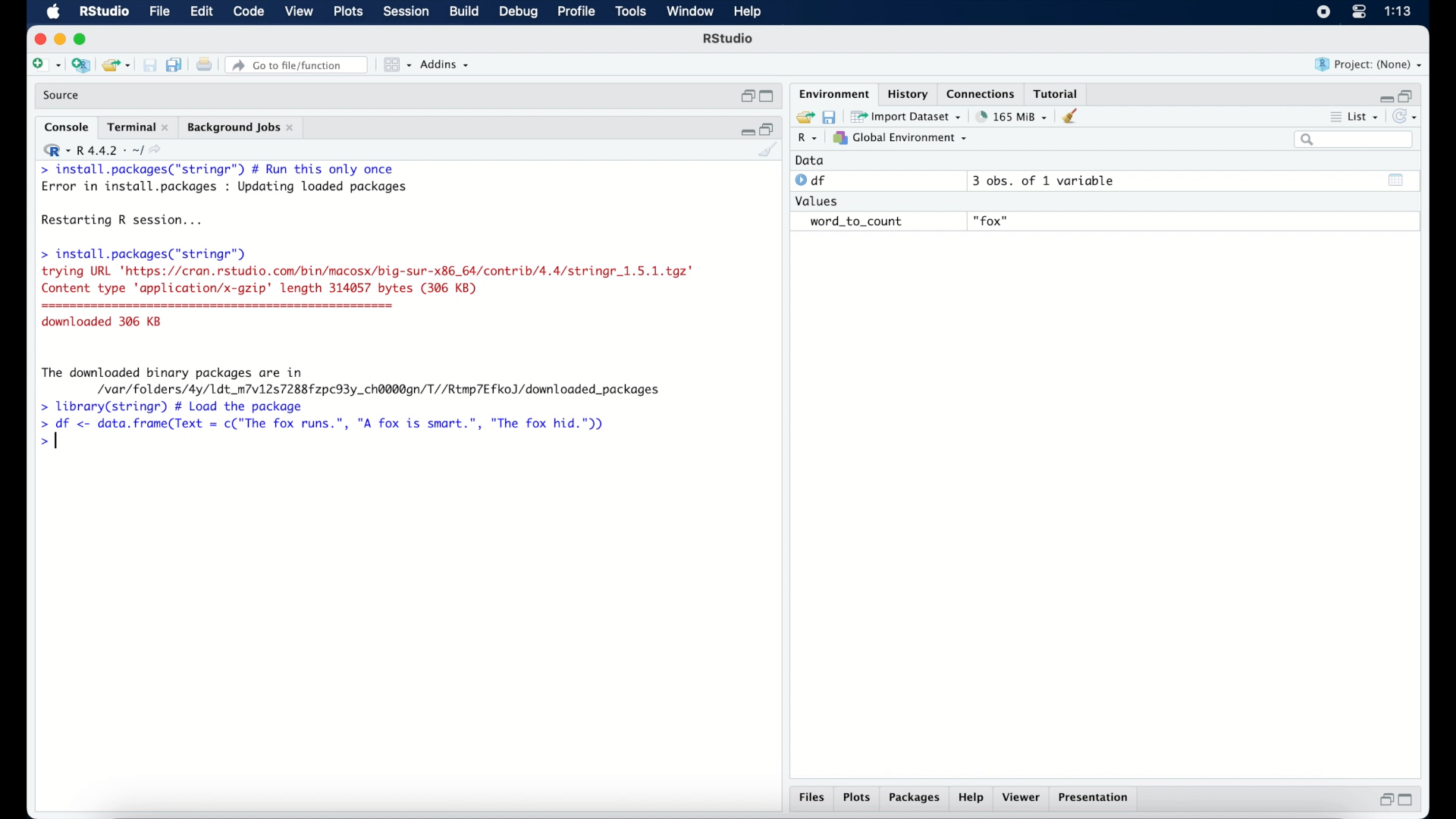 The height and width of the screenshot is (819, 1456). I want to click on close, so click(38, 39).